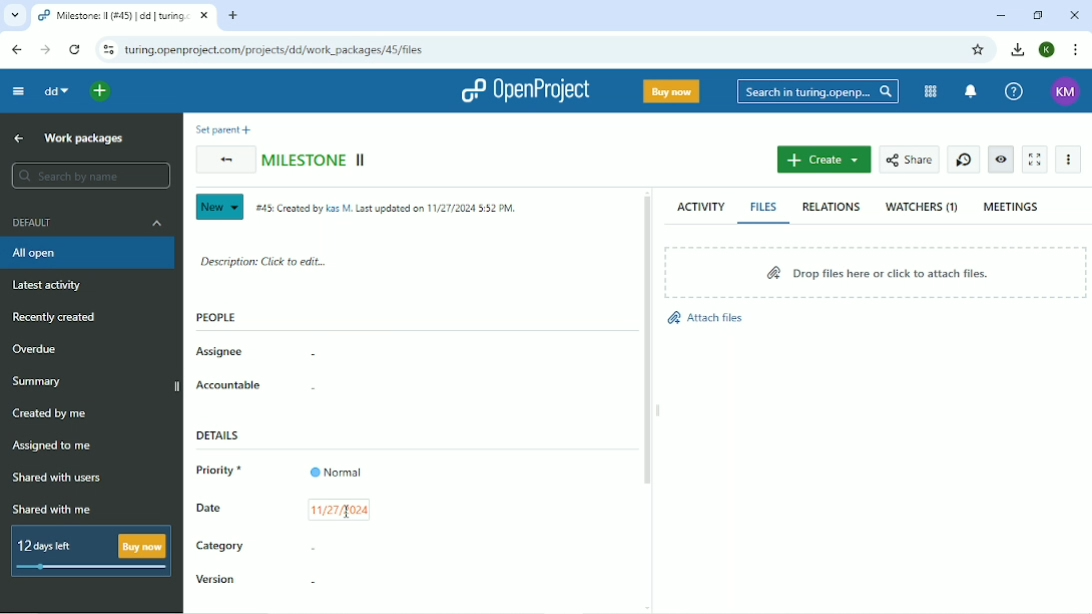 The image size is (1092, 614). I want to click on Created by me, so click(51, 414).